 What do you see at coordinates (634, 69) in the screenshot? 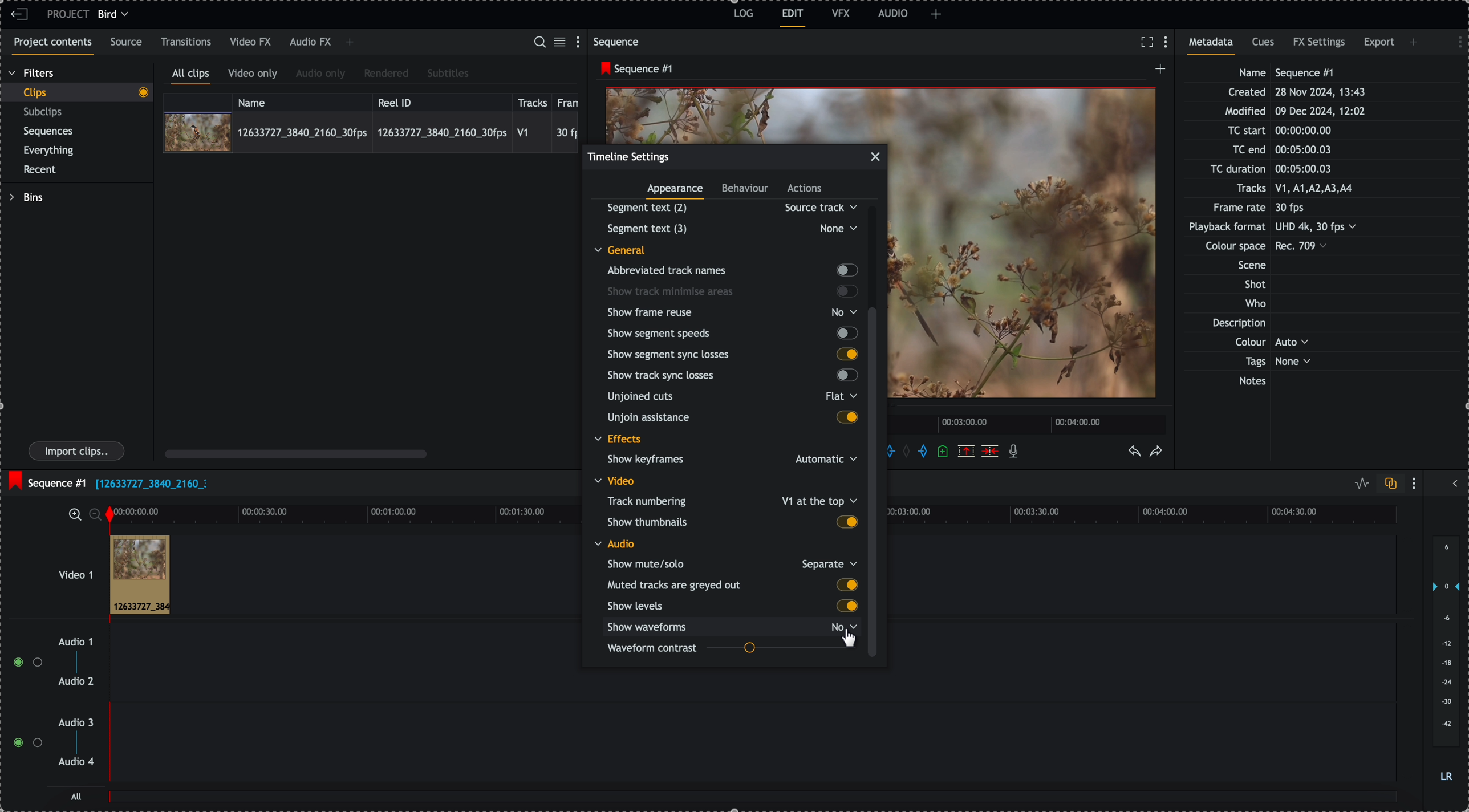
I see `sequence #1` at bounding box center [634, 69].